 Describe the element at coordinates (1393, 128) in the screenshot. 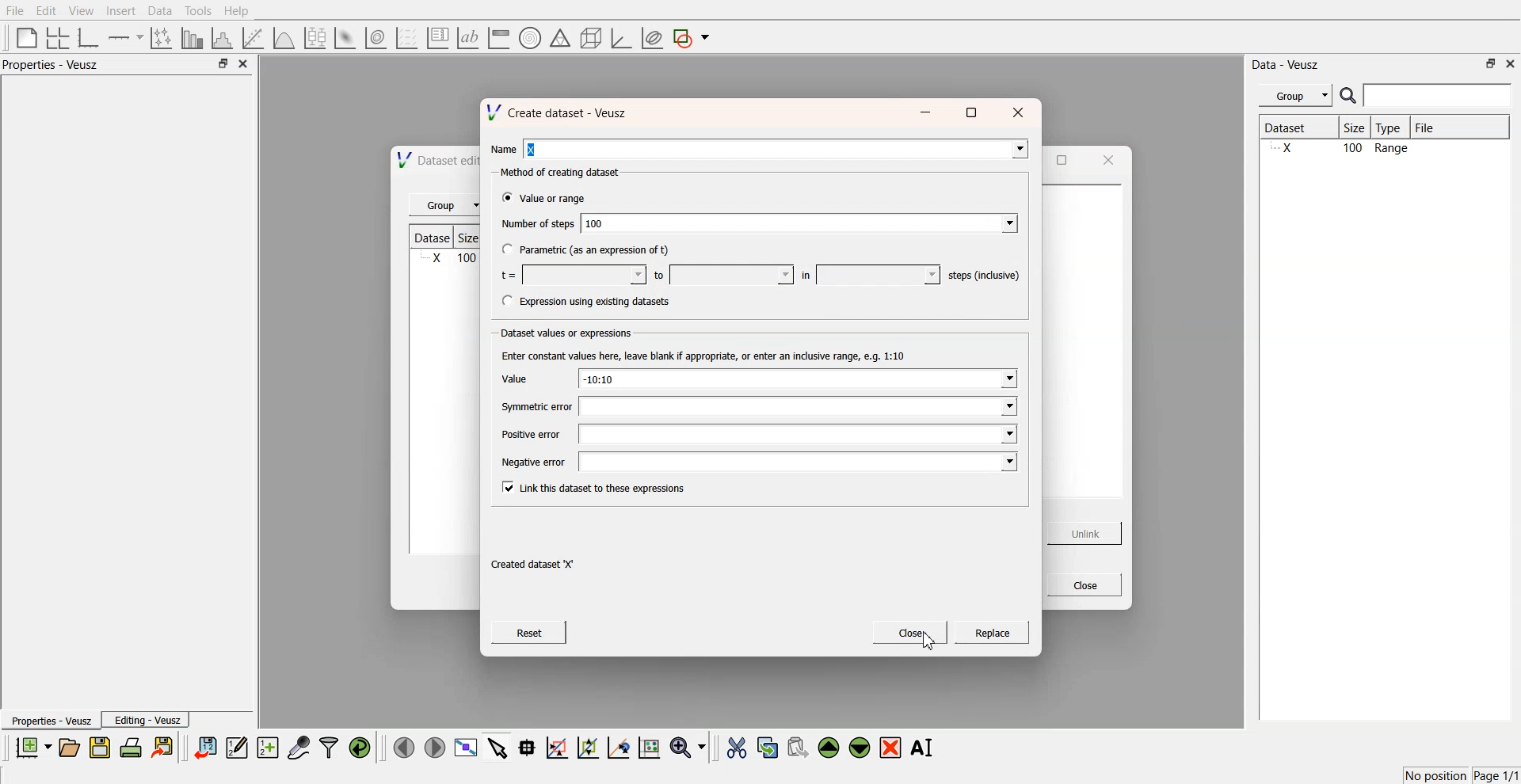

I see `Type` at that location.